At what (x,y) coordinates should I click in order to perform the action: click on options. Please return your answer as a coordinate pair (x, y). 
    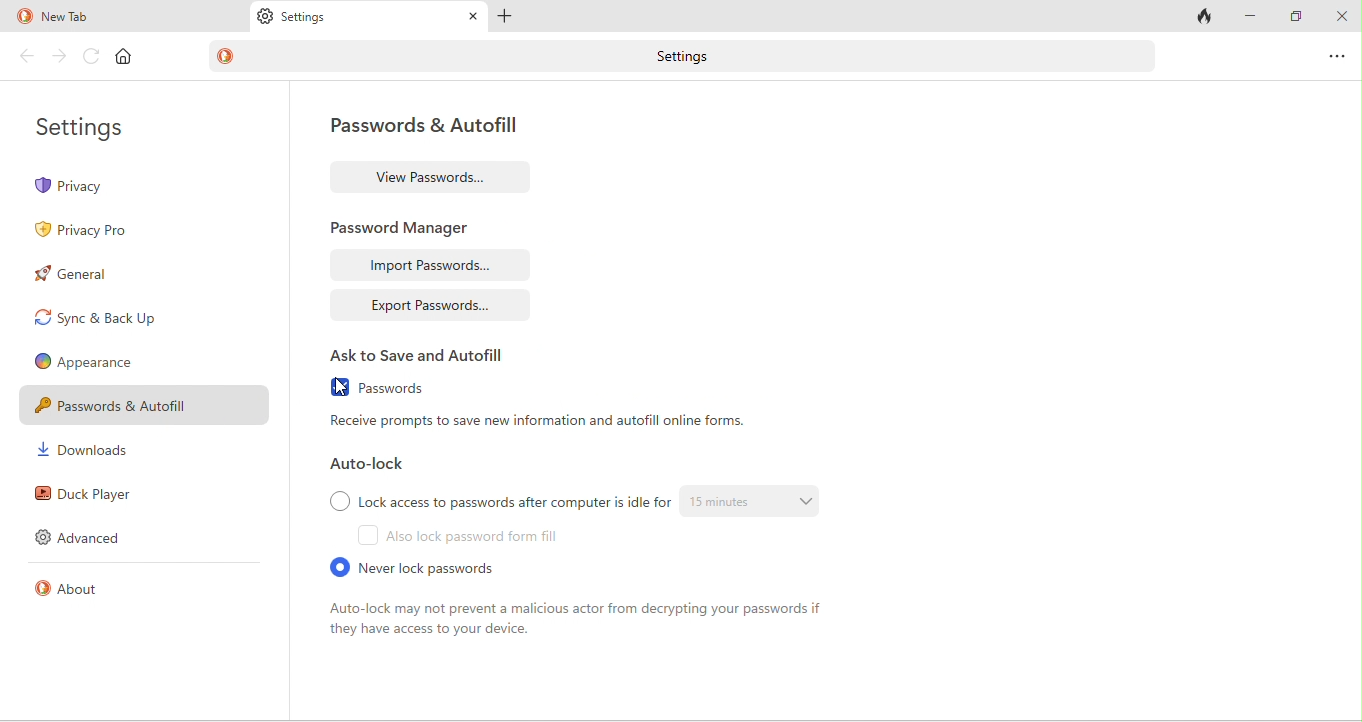
    Looking at the image, I should click on (1335, 53).